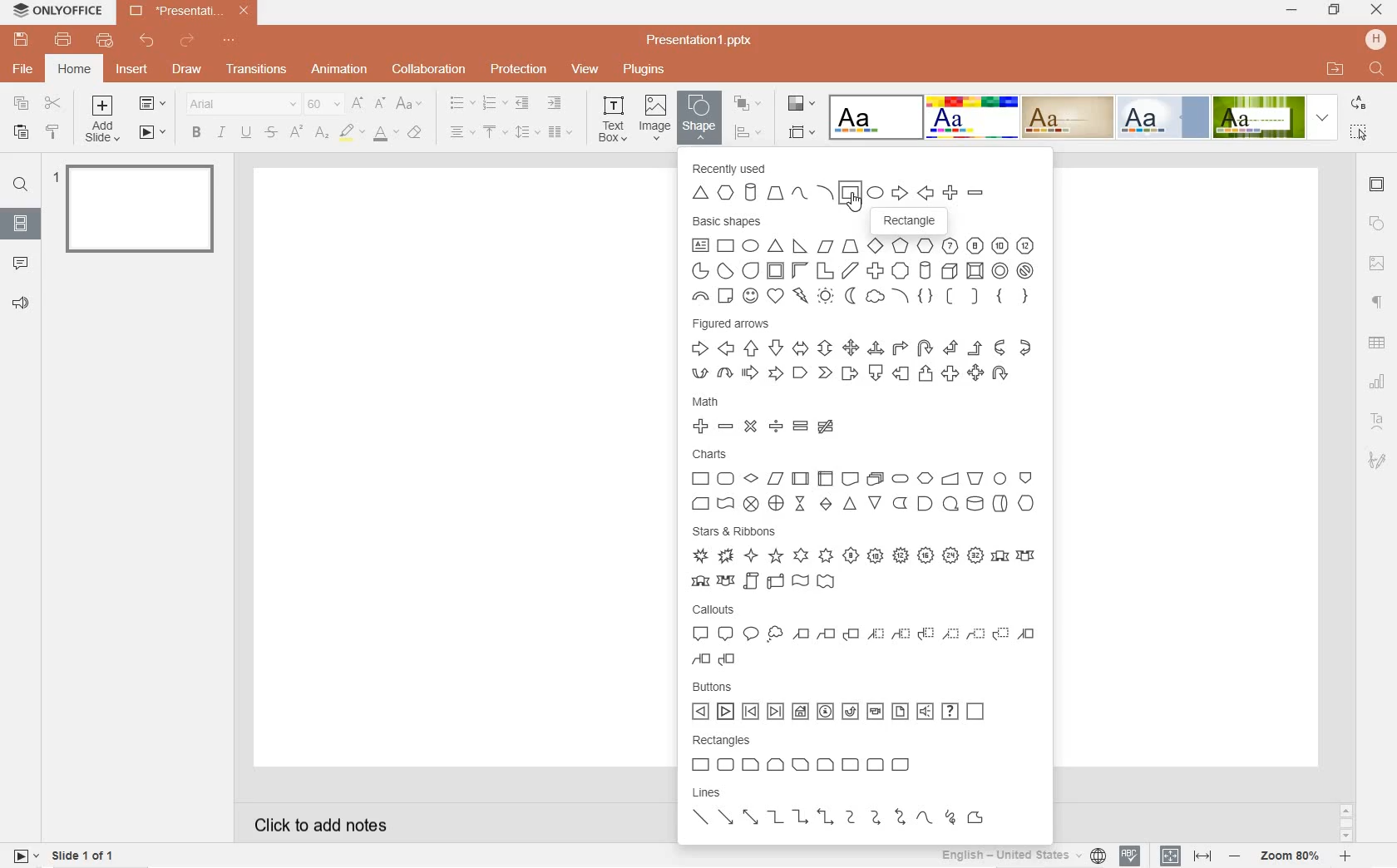  Describe the element at coordinates (976, 635) in the screenshot. I see `Line Callout 2 (No border)` at that location.